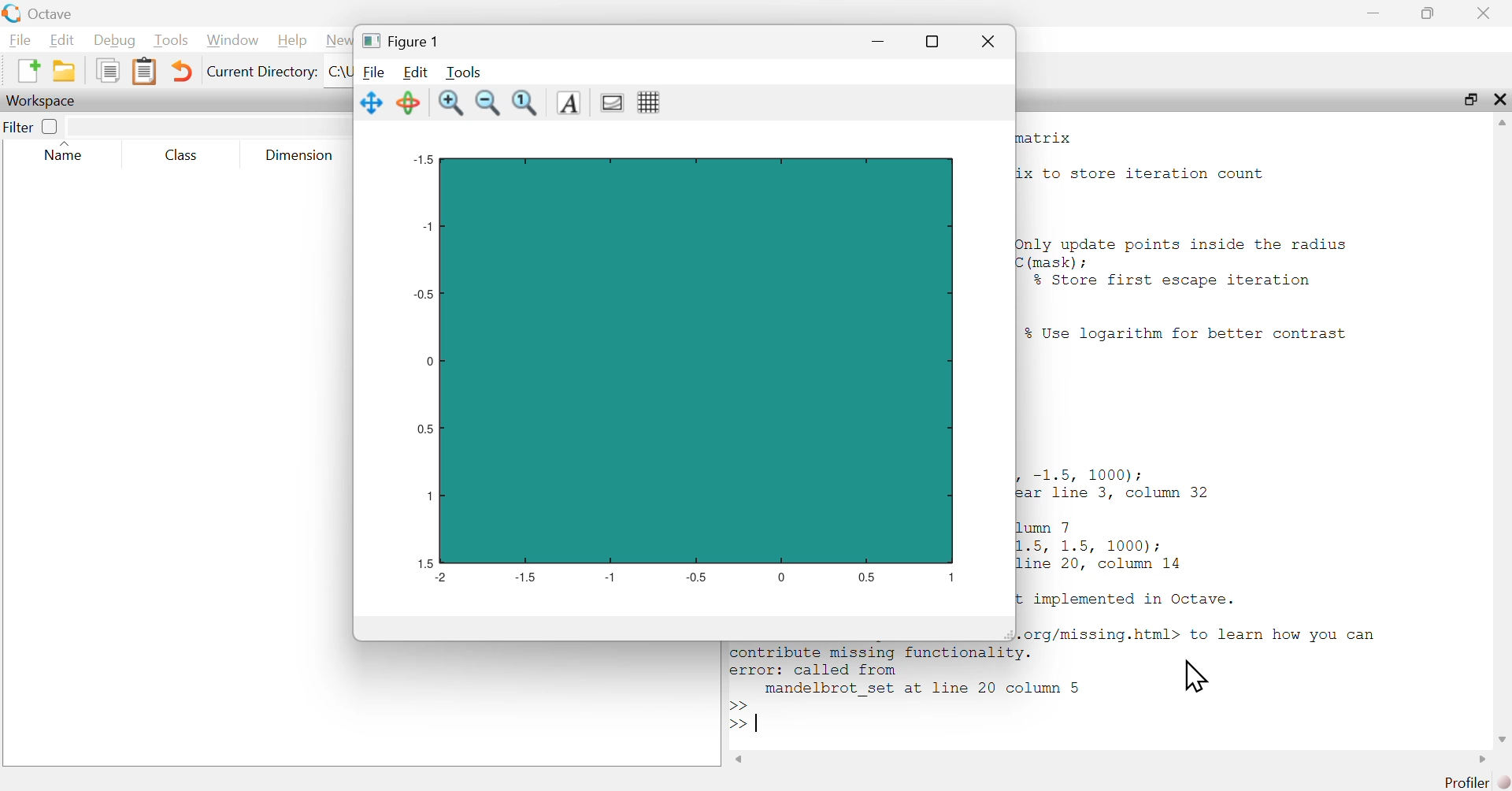  I want to click on Current Directory:, so click(261, 73).